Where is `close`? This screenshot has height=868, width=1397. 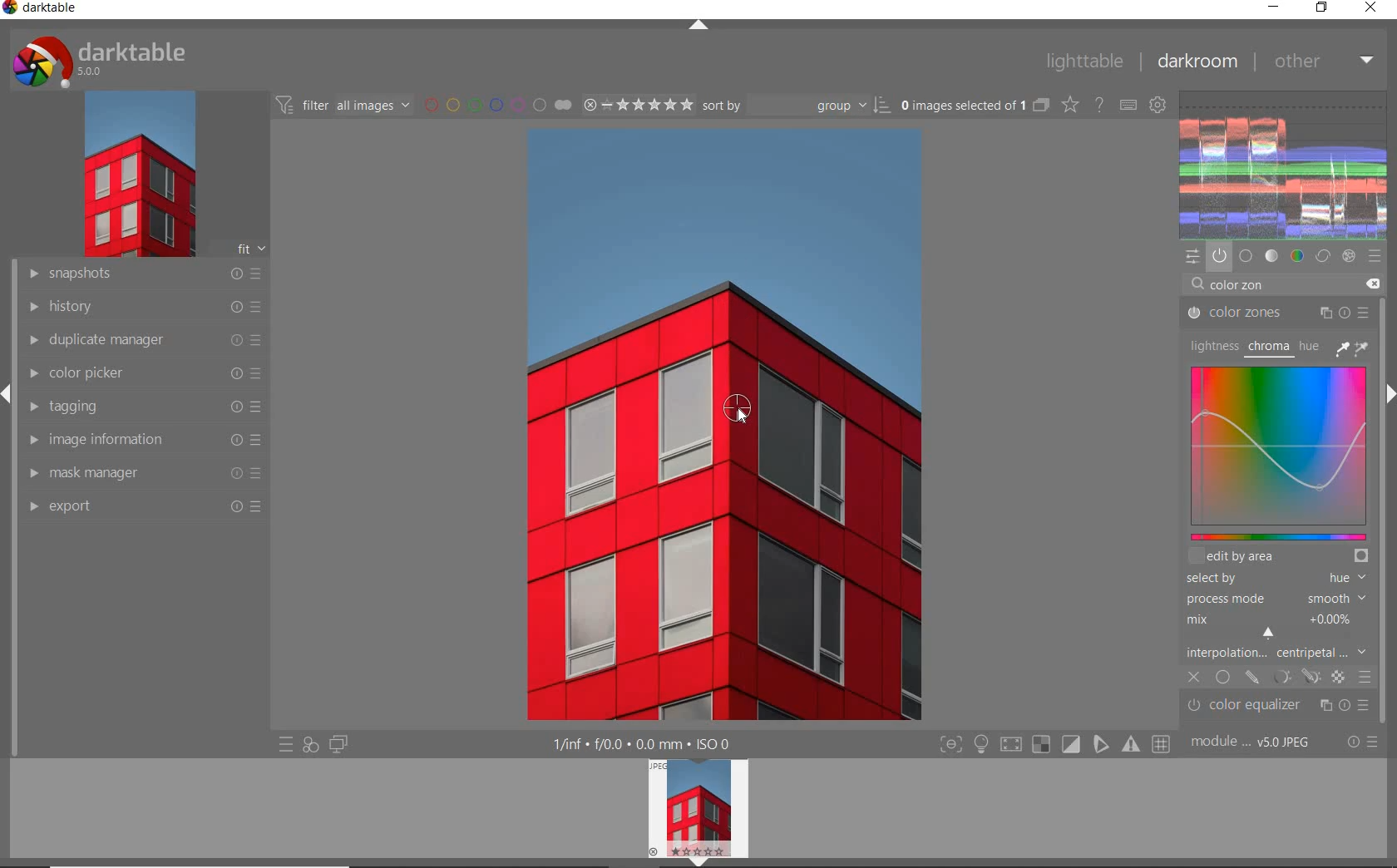 close is located at coordinates (1371, 8).